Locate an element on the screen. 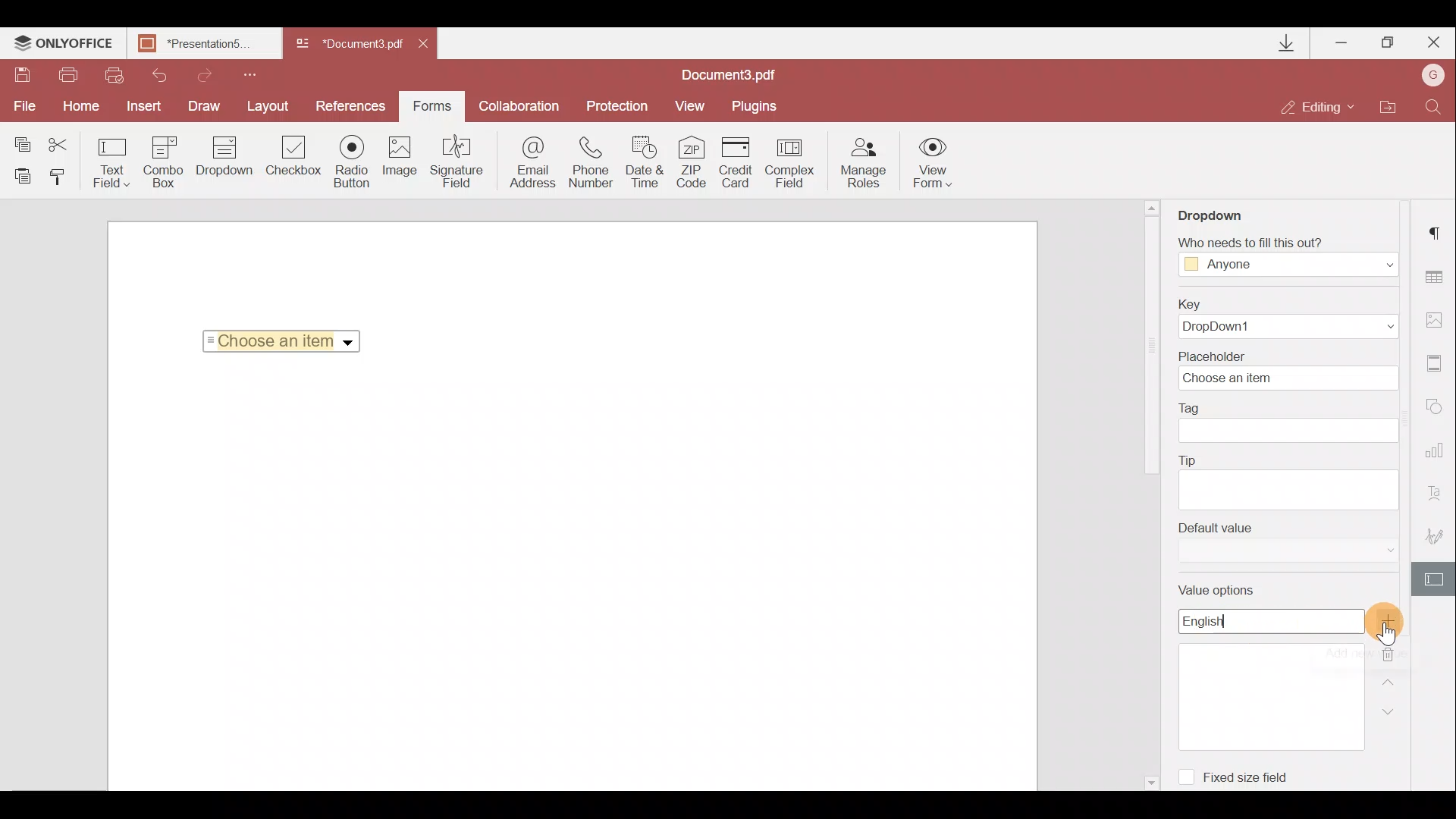  Drop down is located at coordinates (224, 158).